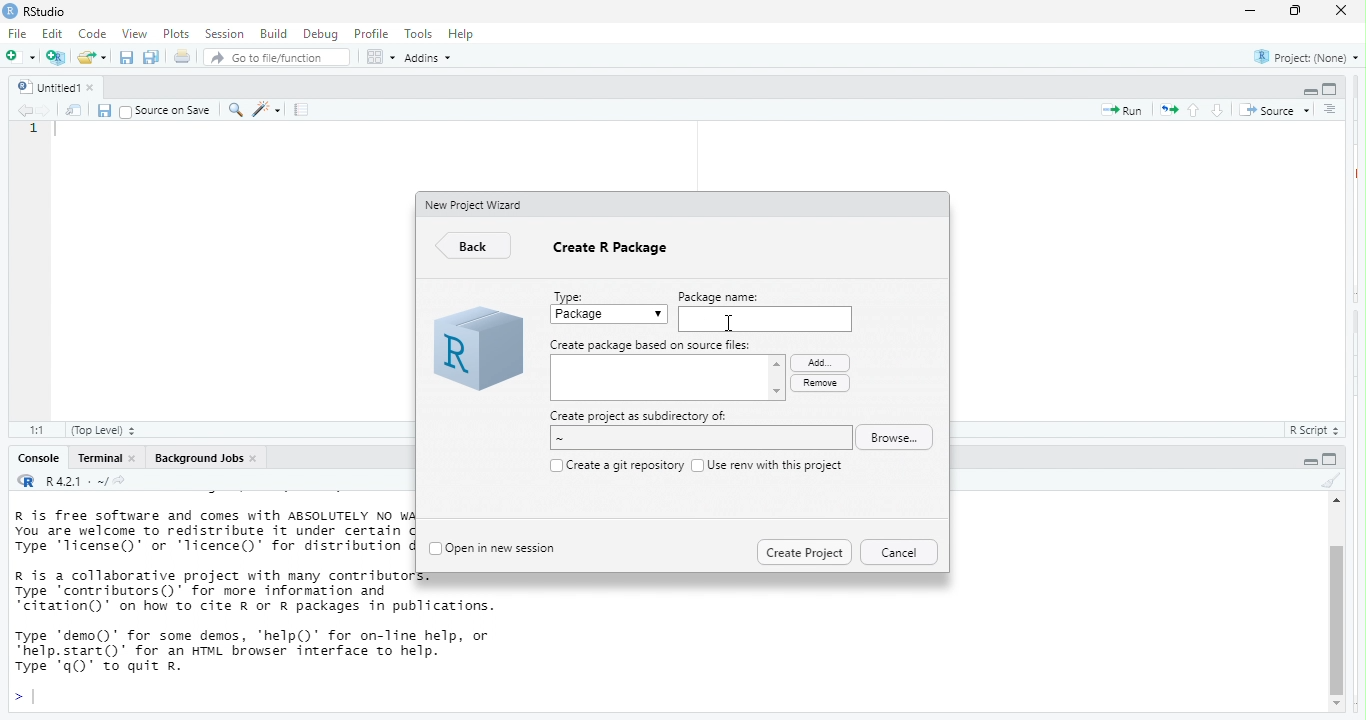  Describe the element at coordinates (34, 131) in the screenshot. I see `1` at that location.